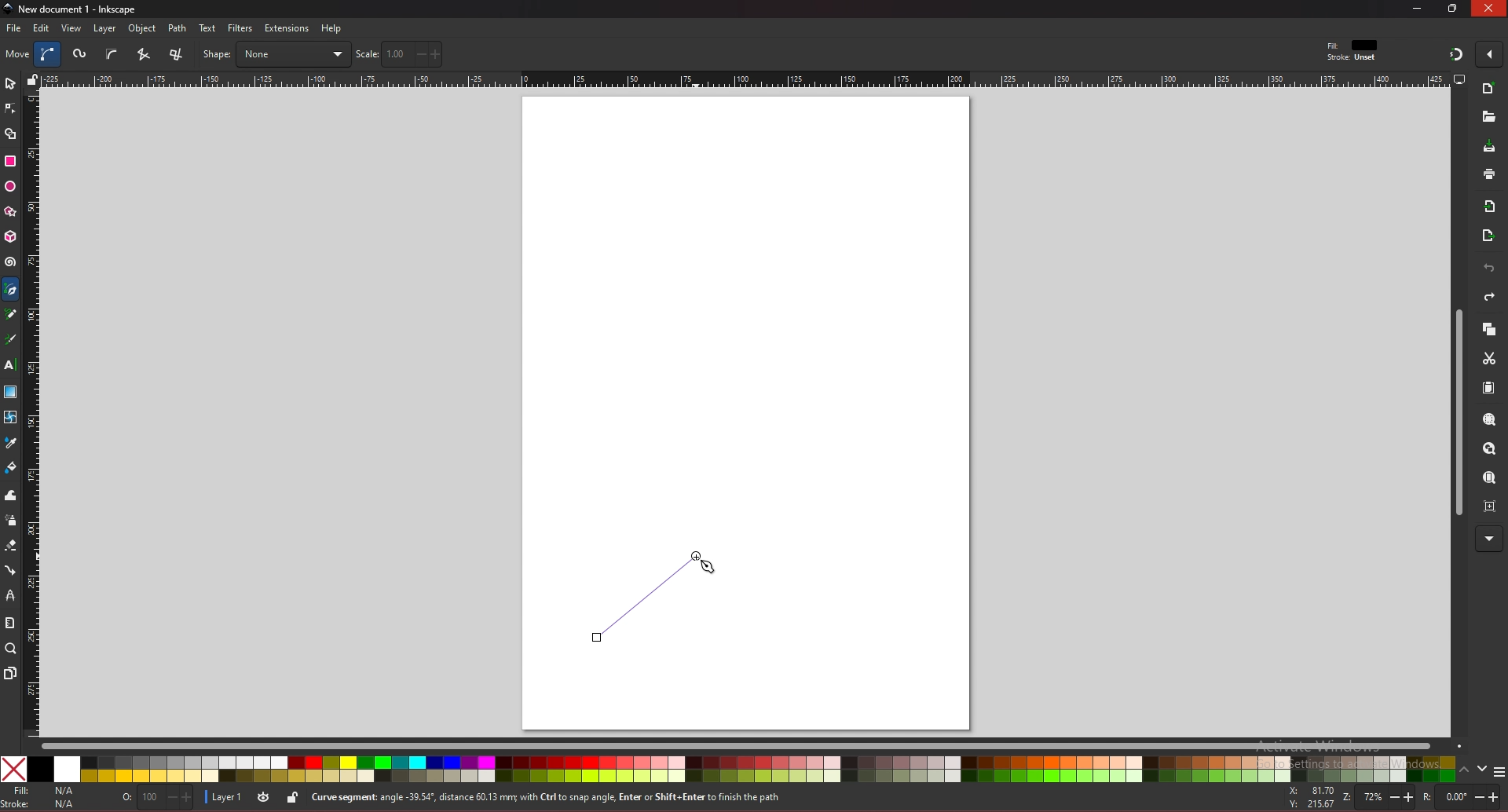  I want to click on scroll bar, so click(751, 744).